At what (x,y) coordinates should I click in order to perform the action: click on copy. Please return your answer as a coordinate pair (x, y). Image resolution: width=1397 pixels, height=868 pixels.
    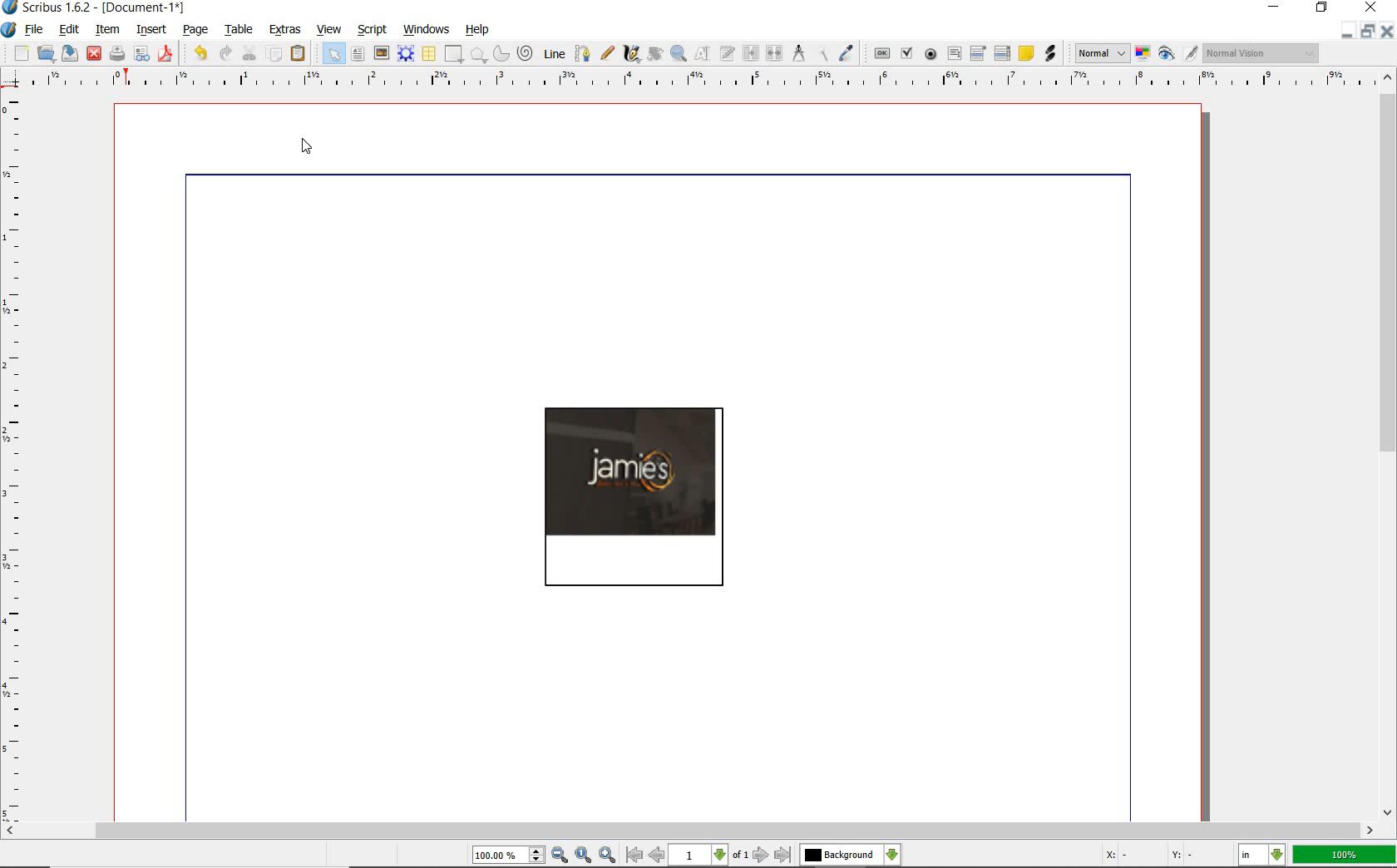
    Looking at the image, I should click on (277, 55).